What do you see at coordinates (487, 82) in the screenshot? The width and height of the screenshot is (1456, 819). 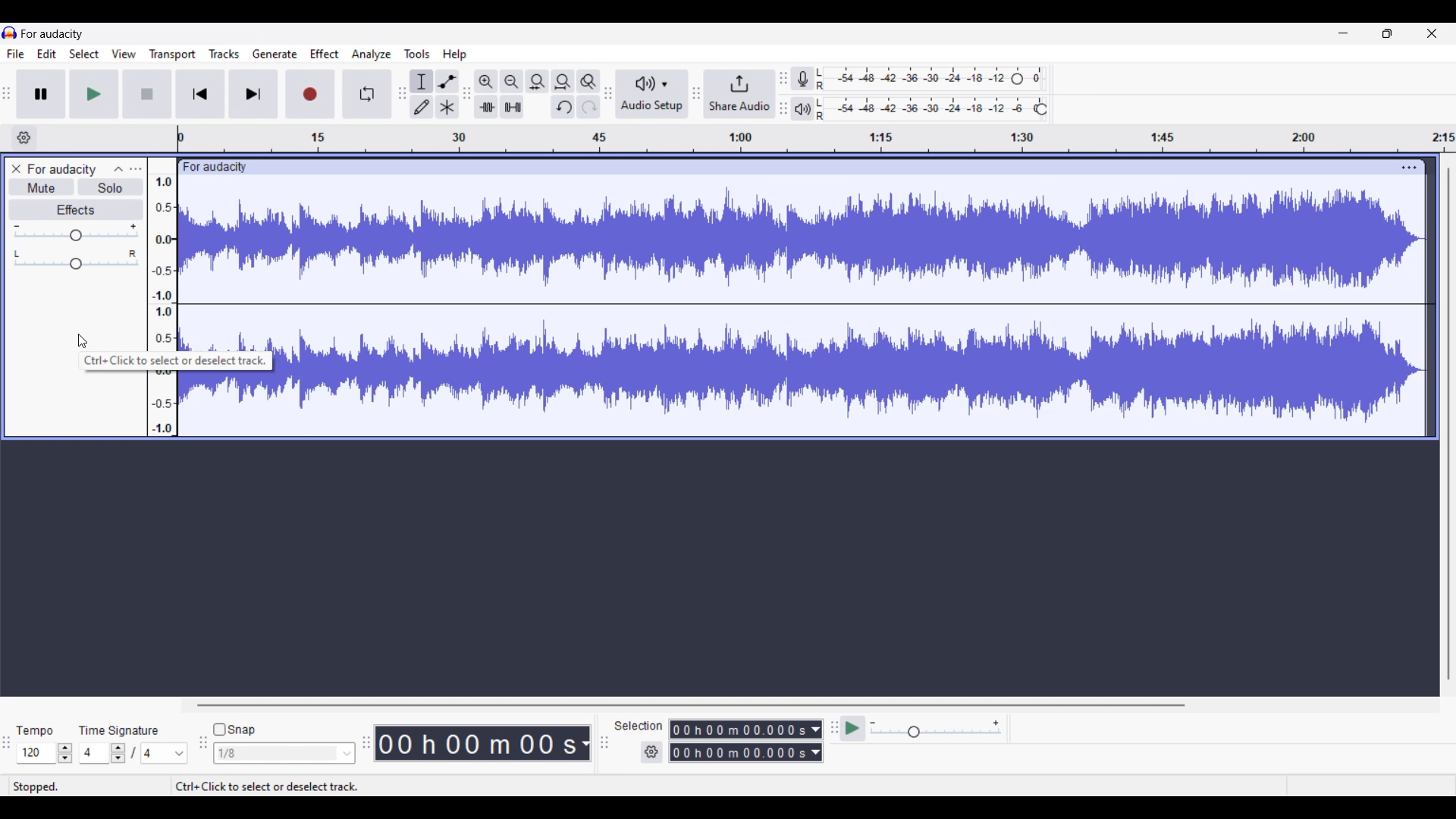 I see `Zoom in` at bounding box center [487, 82].